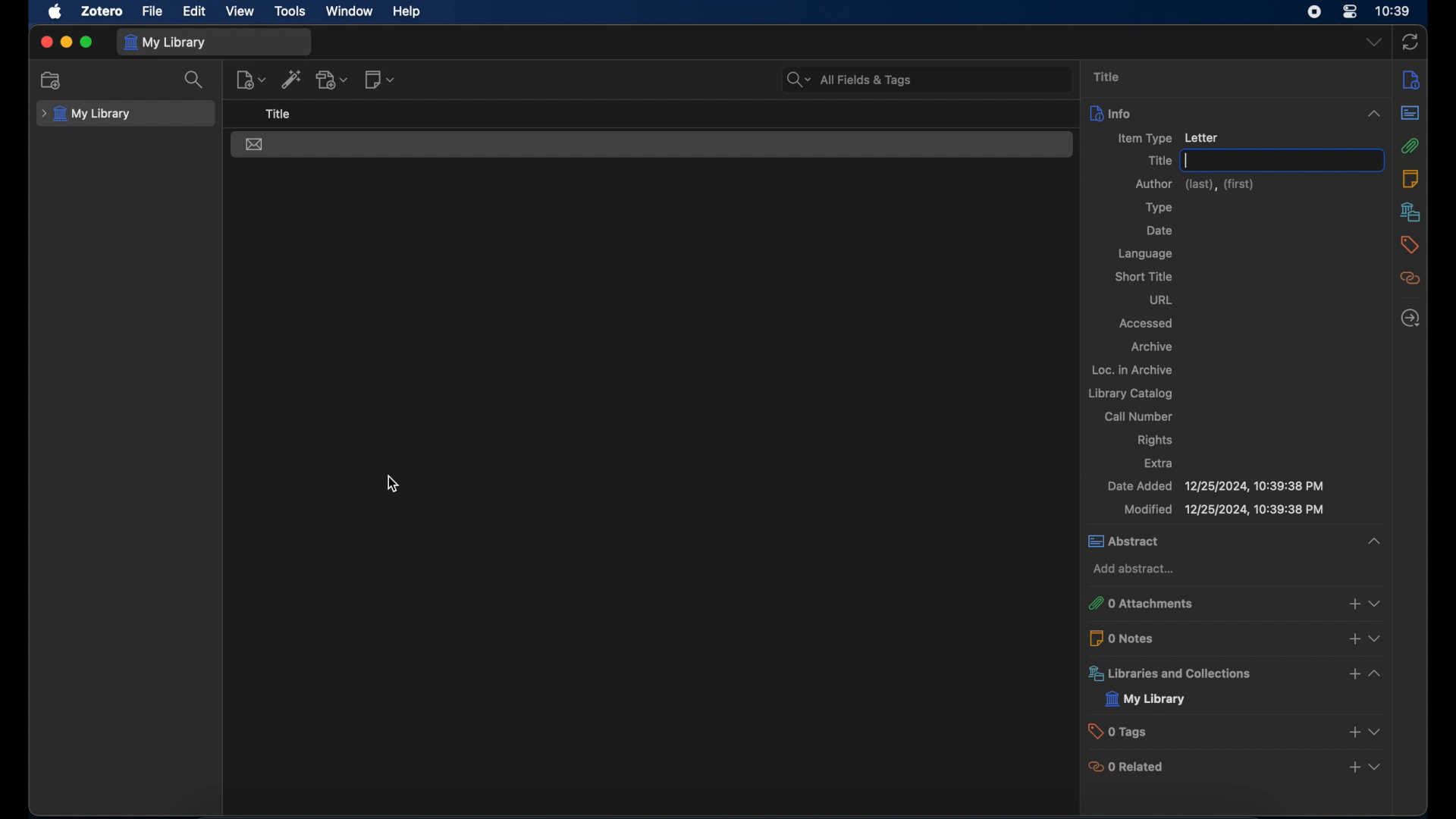  What do you see at coordinates (291, 80) in the screenshot?
I see `add item by identifier` at bounding box center [291, 80].